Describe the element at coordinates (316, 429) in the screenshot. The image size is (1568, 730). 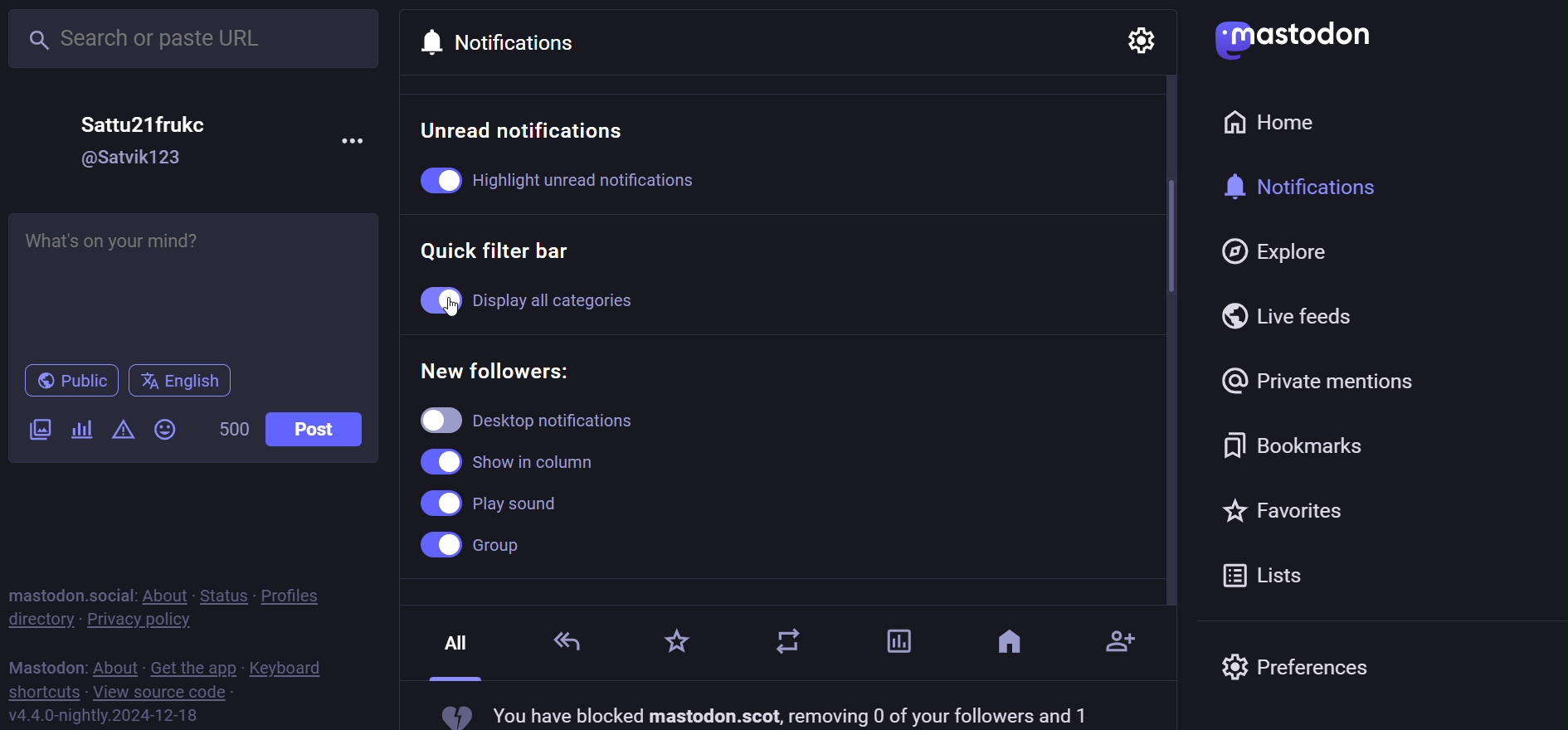
I see `post` at that location.